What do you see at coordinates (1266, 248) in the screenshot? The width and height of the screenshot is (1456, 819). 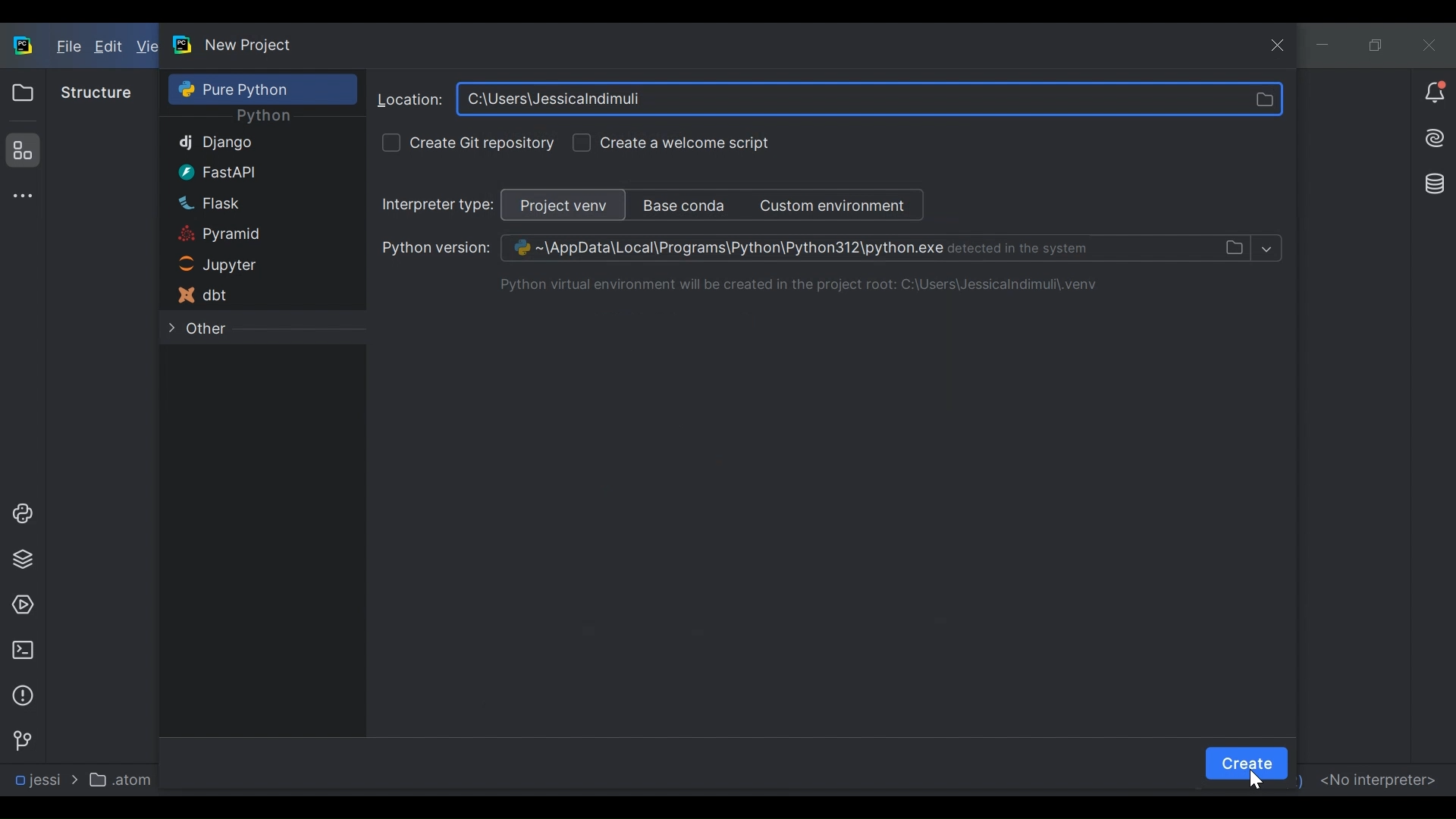 I see `show` at bounding box center [1266, 248].